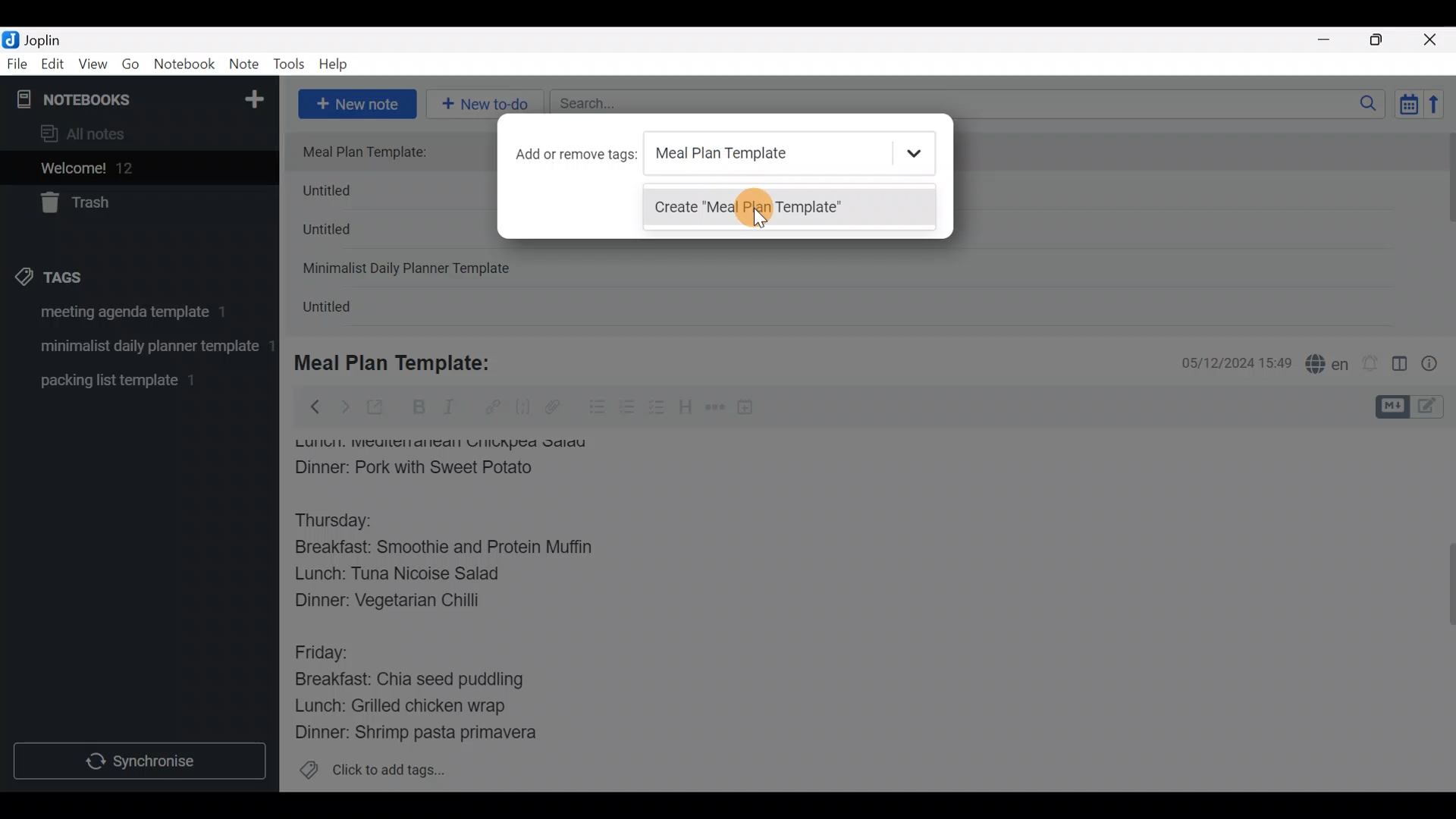 The width and height of the screenshot is (1456, 819). Describe the element at coordinates (573, 155) in the screenshot. I see `Add or remove tags` at that location.